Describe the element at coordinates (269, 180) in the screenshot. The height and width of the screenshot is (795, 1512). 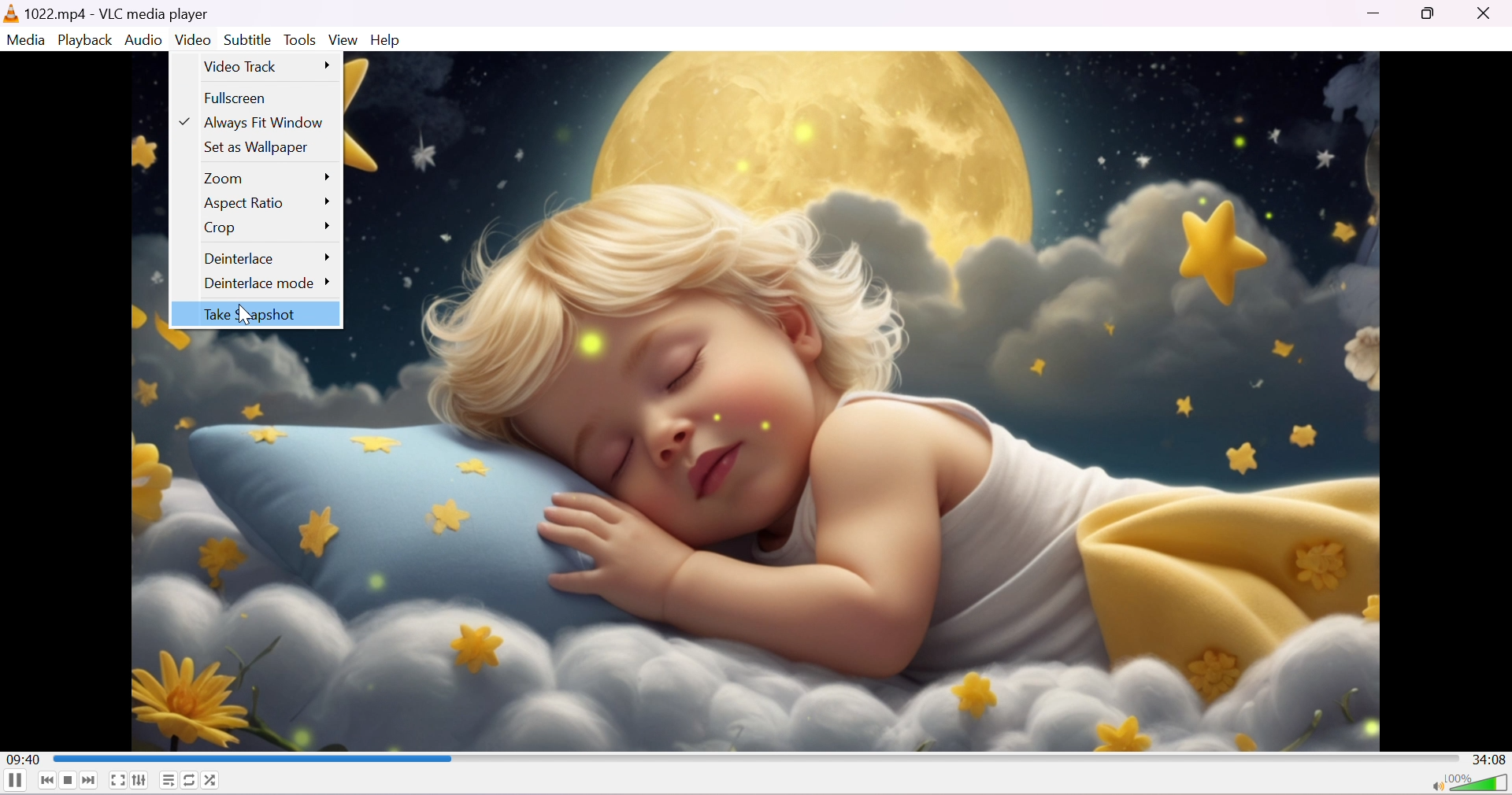
I see `Zoom` at that location.